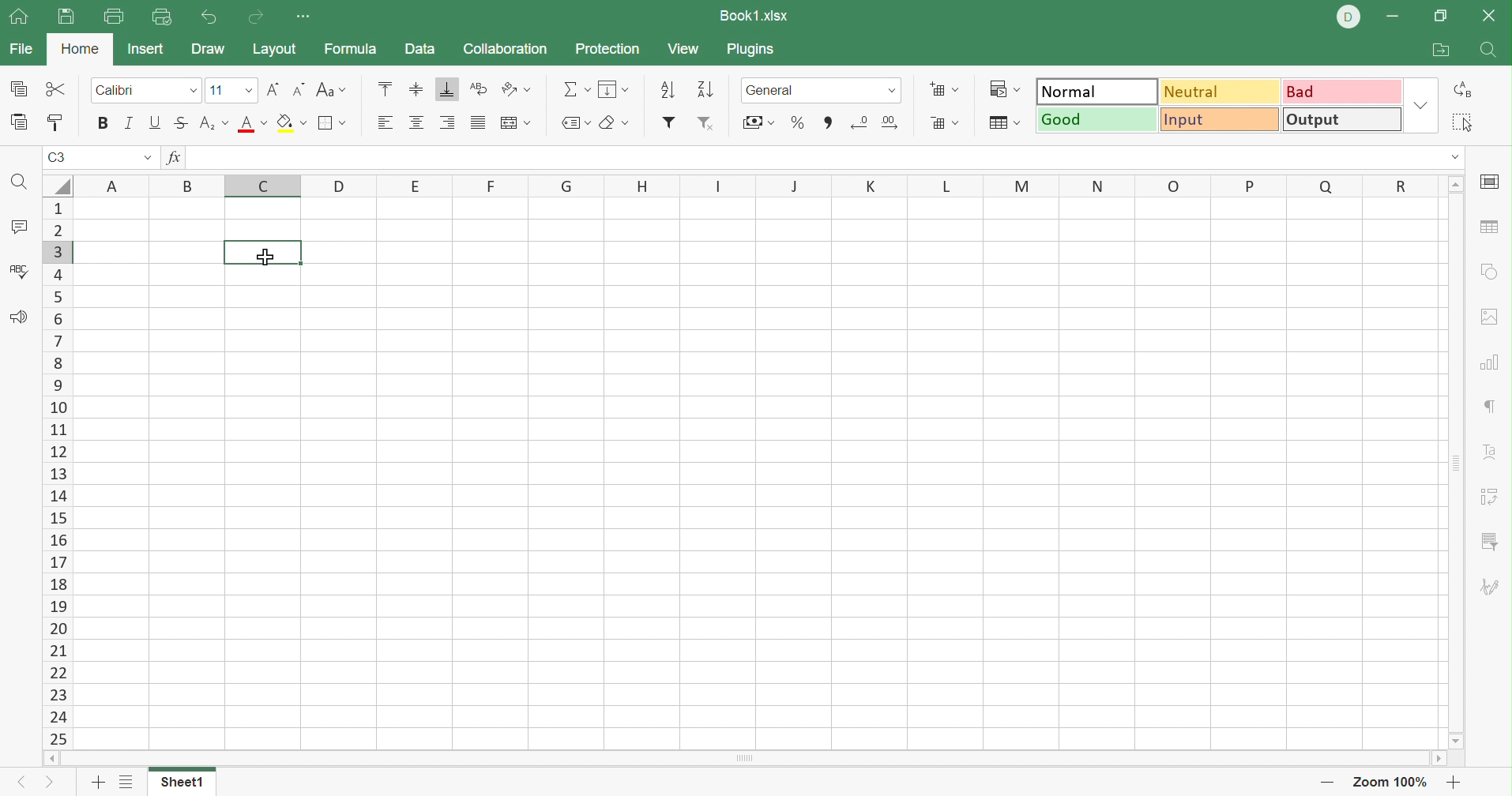 The image size is (1512, 796). I want to click on Print file, so click(114, 16).